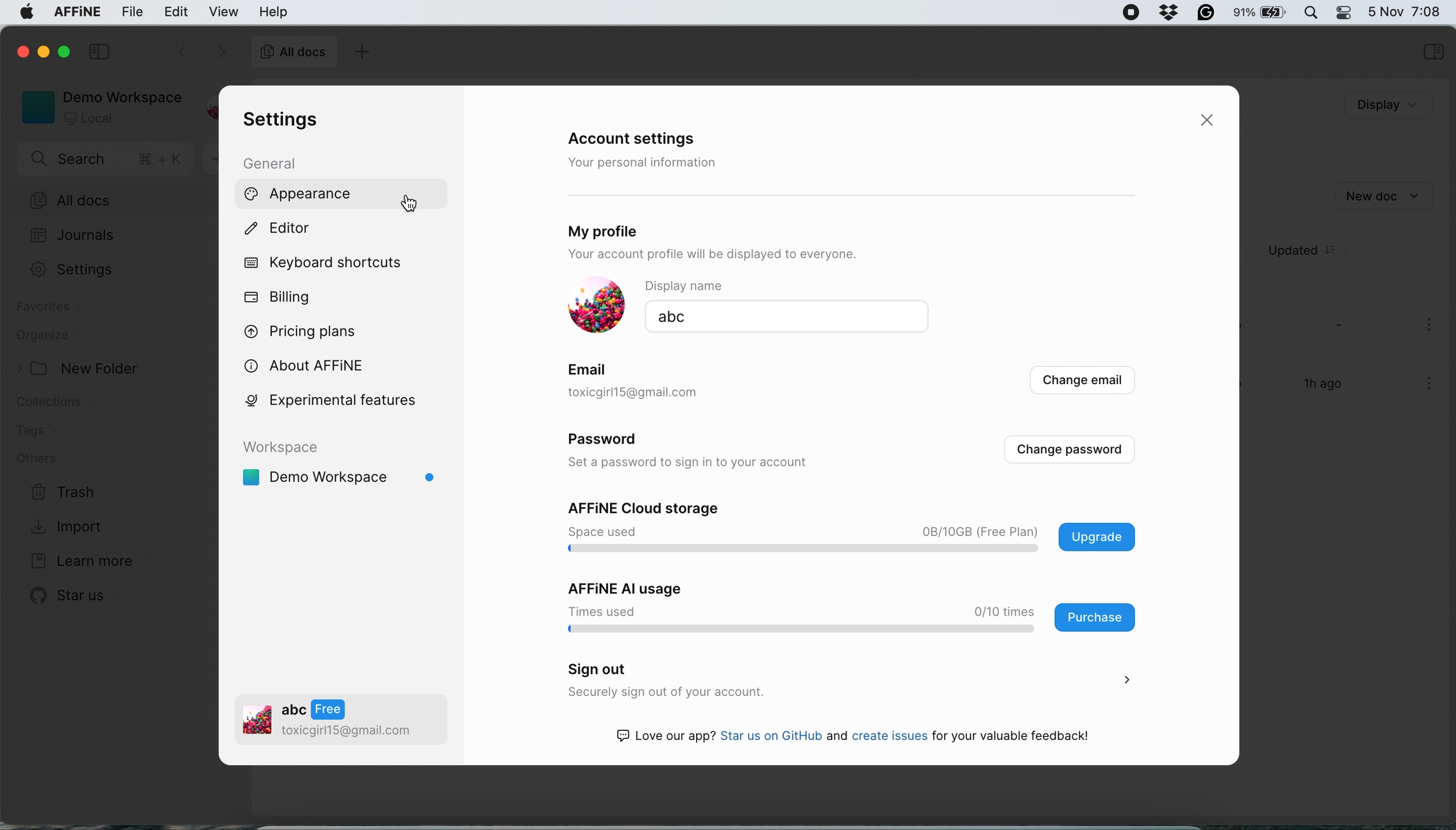 The width and height of the screenshot is (1456, 830). Describe the element at coordinates (350, 477) in the screenshot. I see `workspace` at that location.